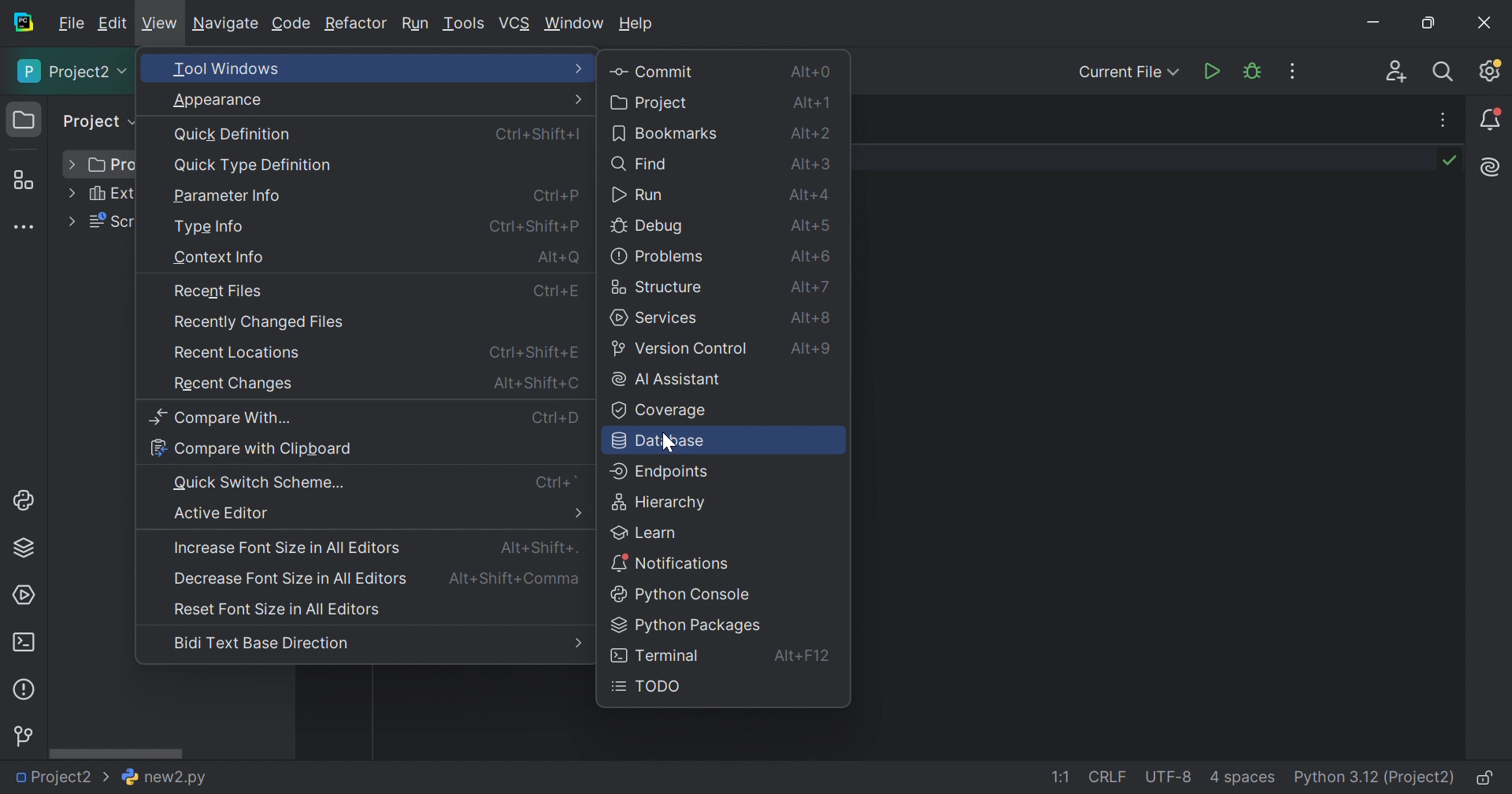 This screenshot has height=794, width=1512. I want to click on Alt+3, so click(812, 165).